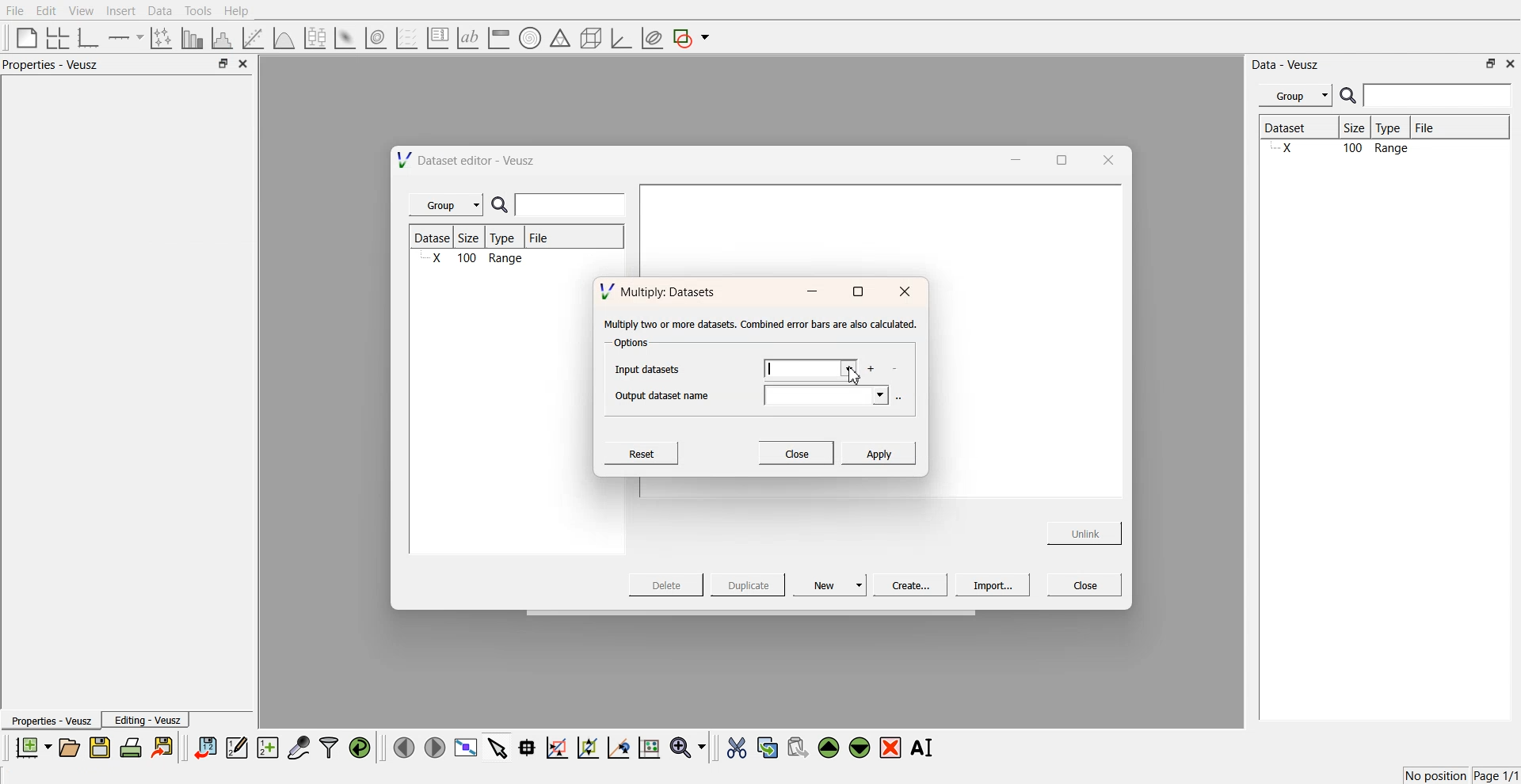  I want to click on Tools, so click(196, 10).